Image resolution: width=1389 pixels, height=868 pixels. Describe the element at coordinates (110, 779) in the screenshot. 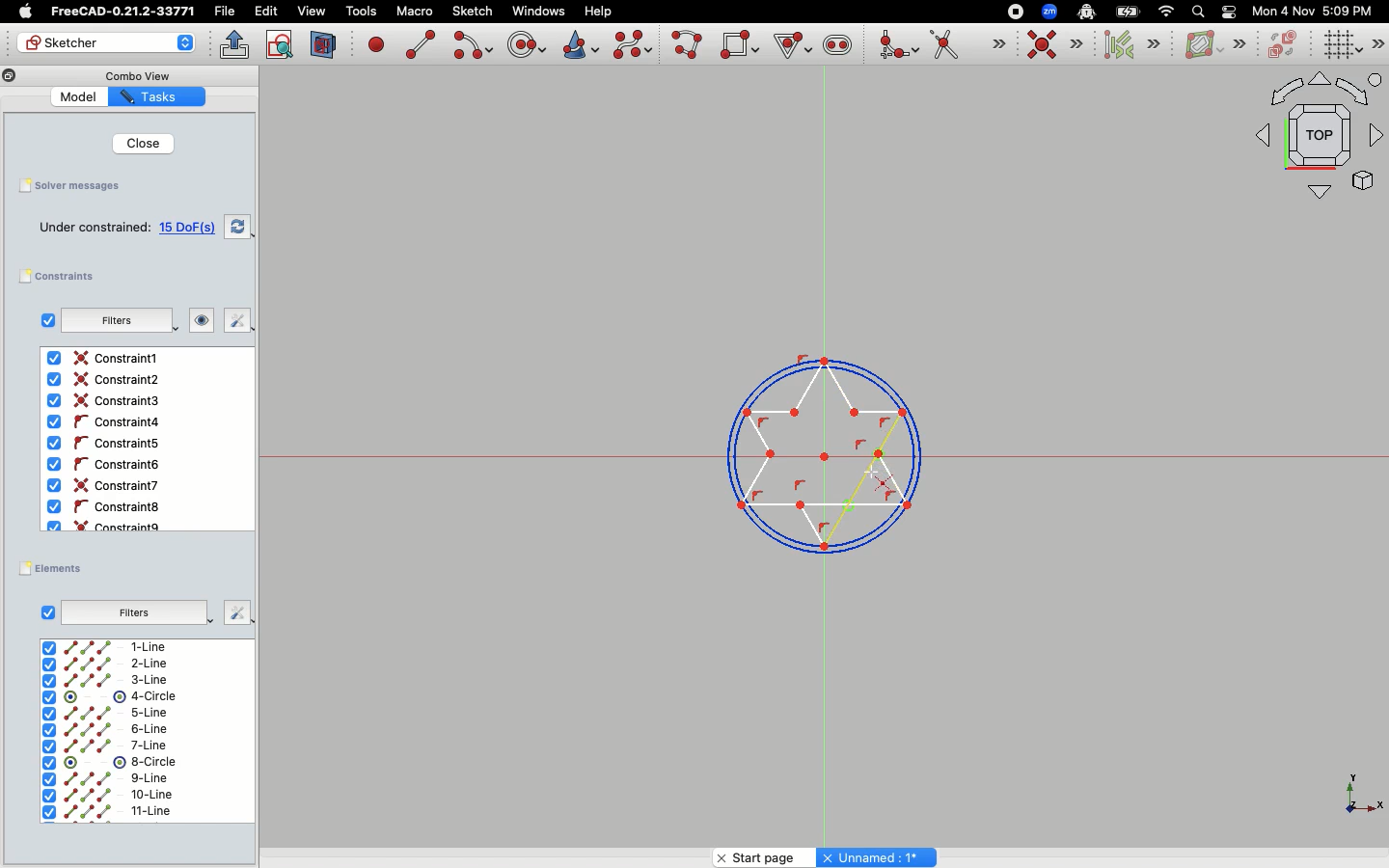

I see `9-line` at that location.